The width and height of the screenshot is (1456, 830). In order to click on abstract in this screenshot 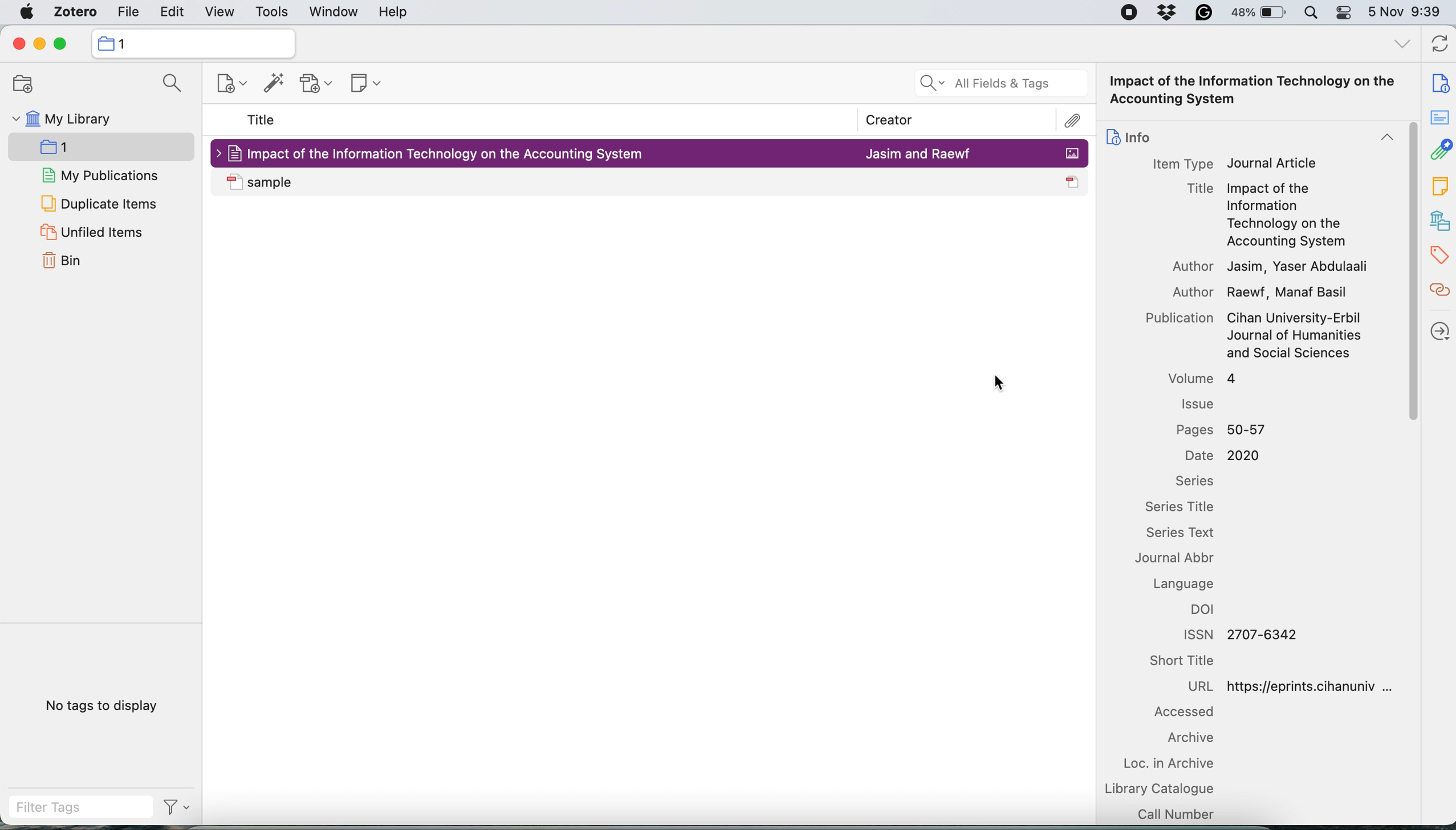, I will do `click(1439, 115)`.